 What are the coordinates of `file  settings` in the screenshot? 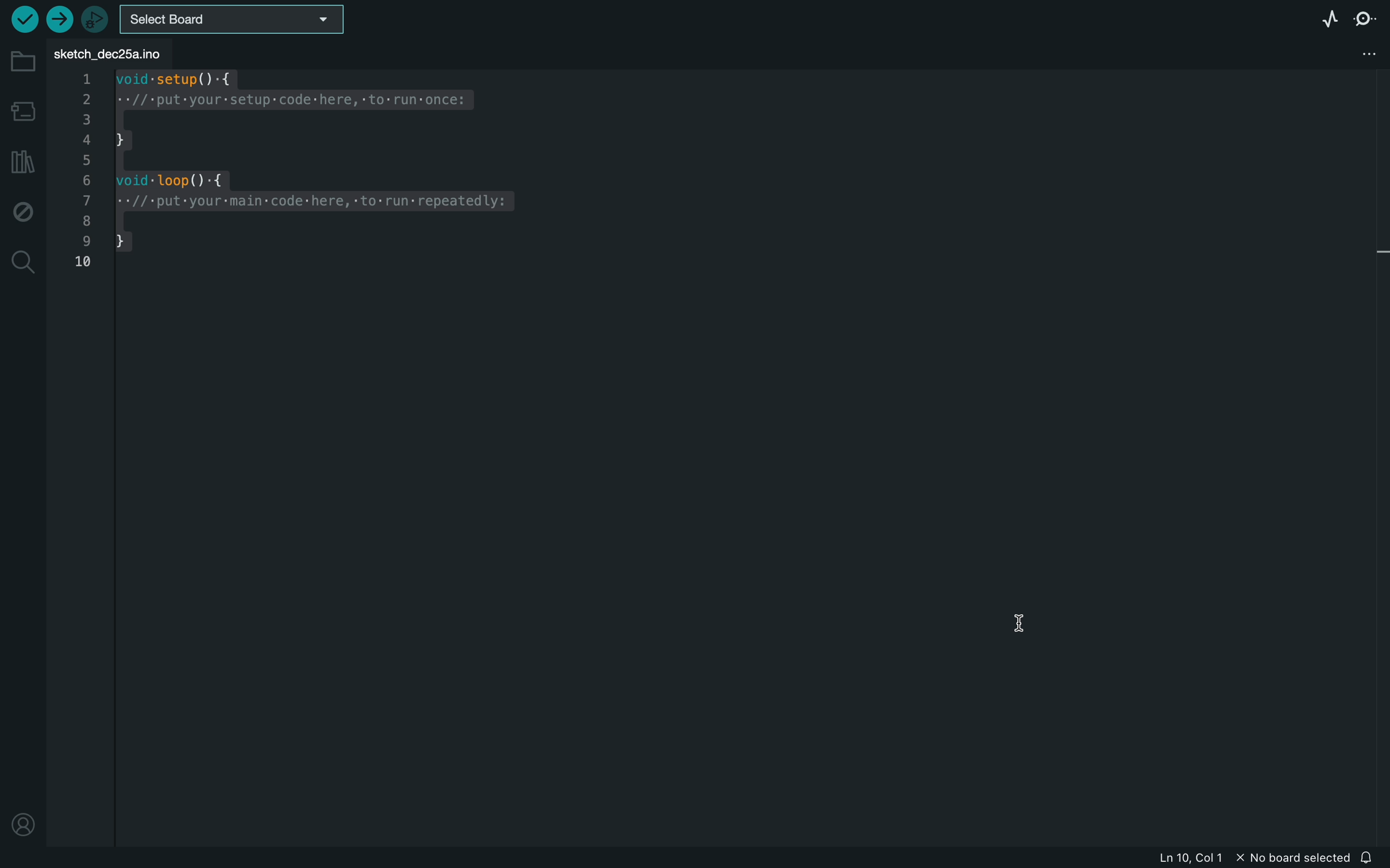 It's located at (1350, 54).